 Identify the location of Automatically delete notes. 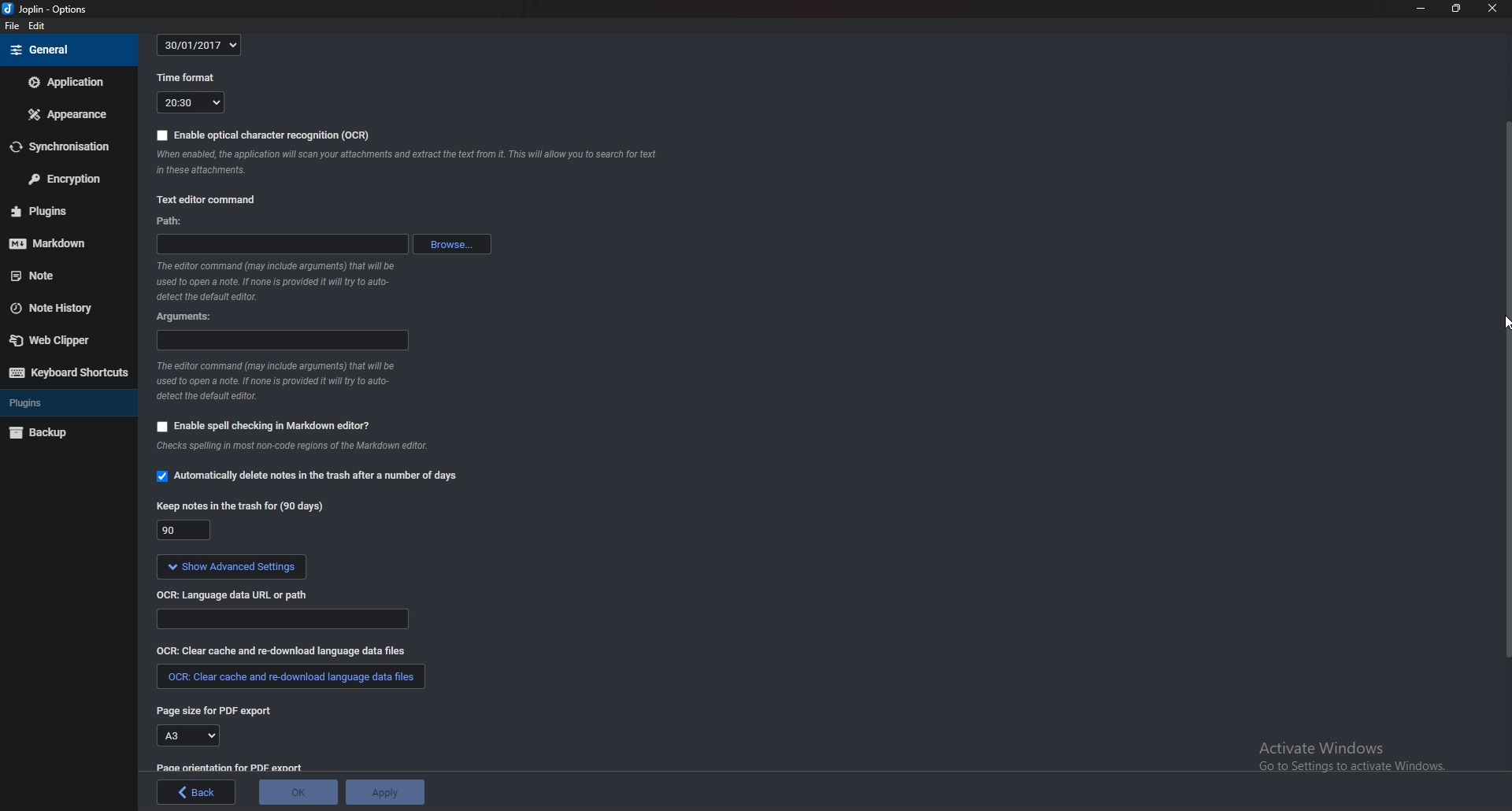
(306, 476).